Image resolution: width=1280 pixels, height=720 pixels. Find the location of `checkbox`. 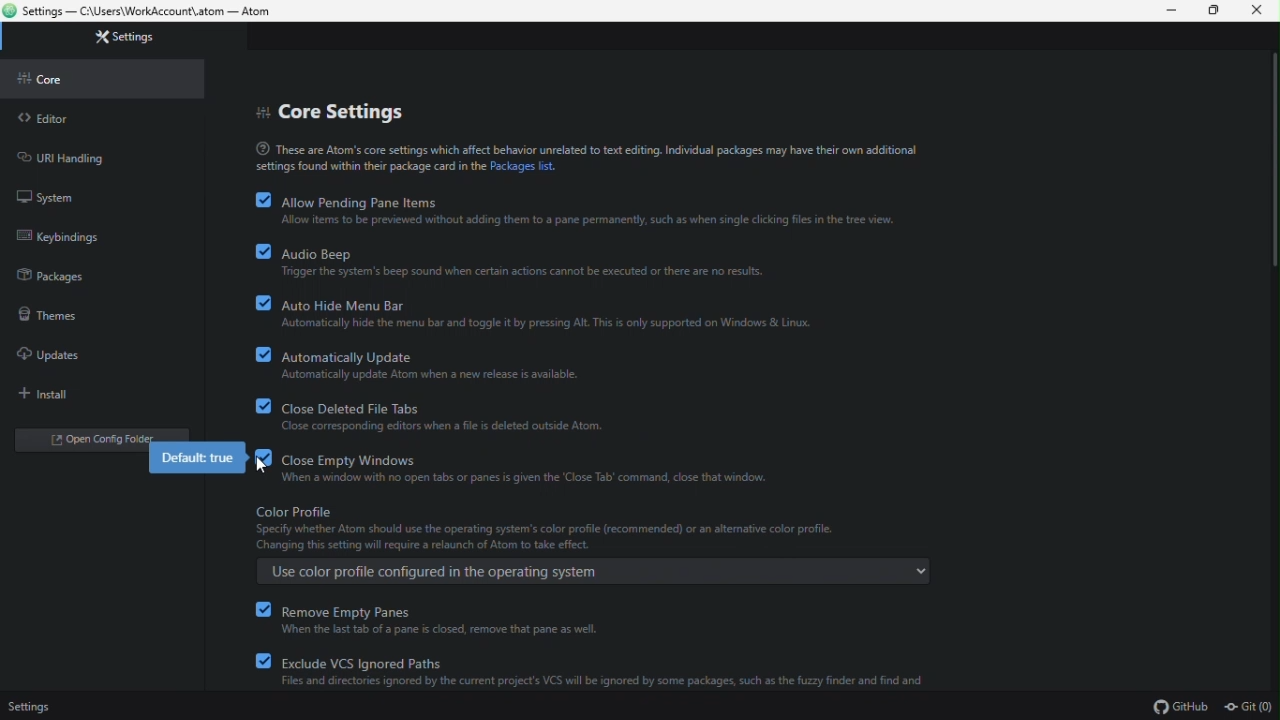

checkbox is located at coordinates (260, 253).